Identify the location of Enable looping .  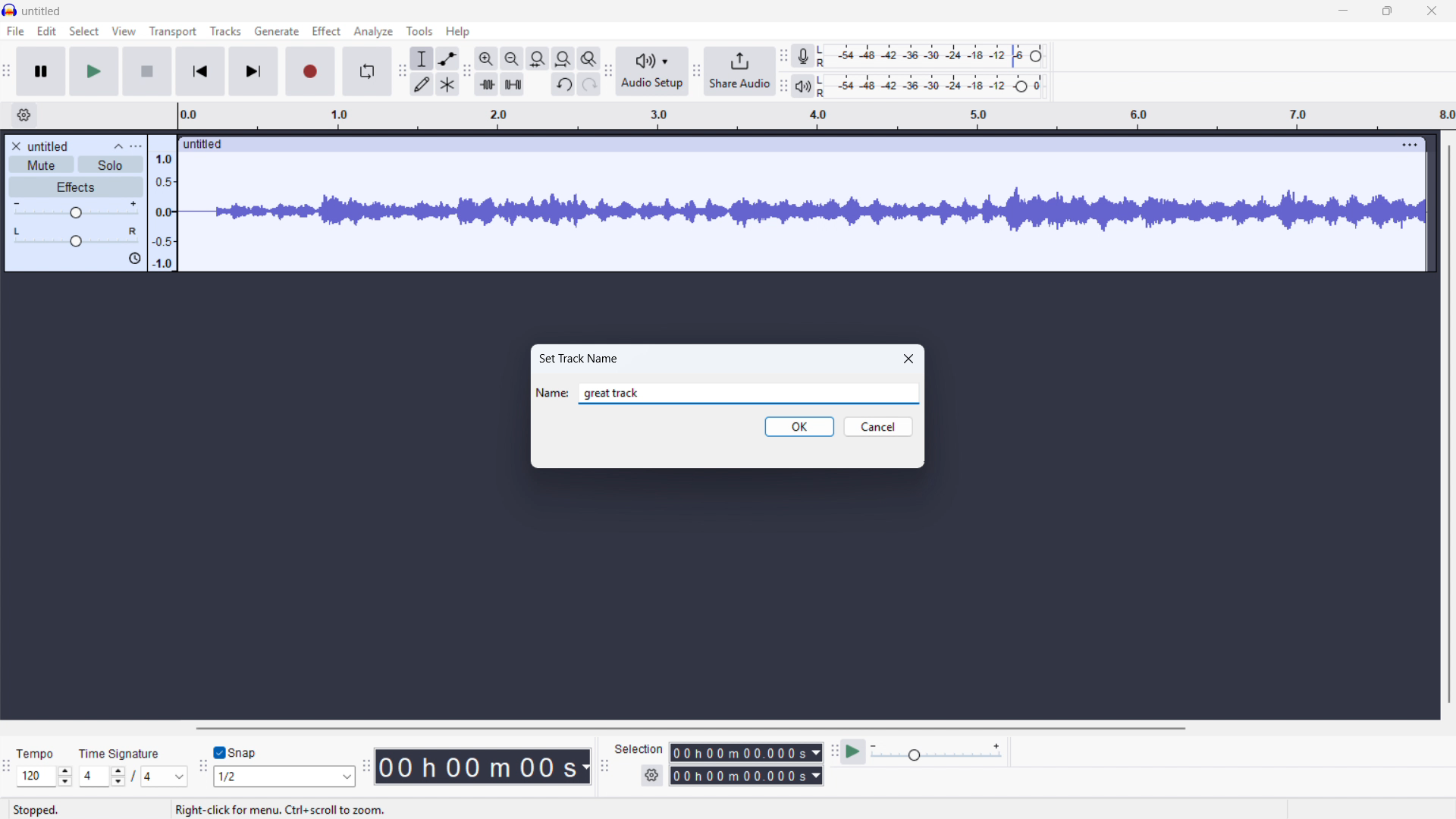
(366, 71).